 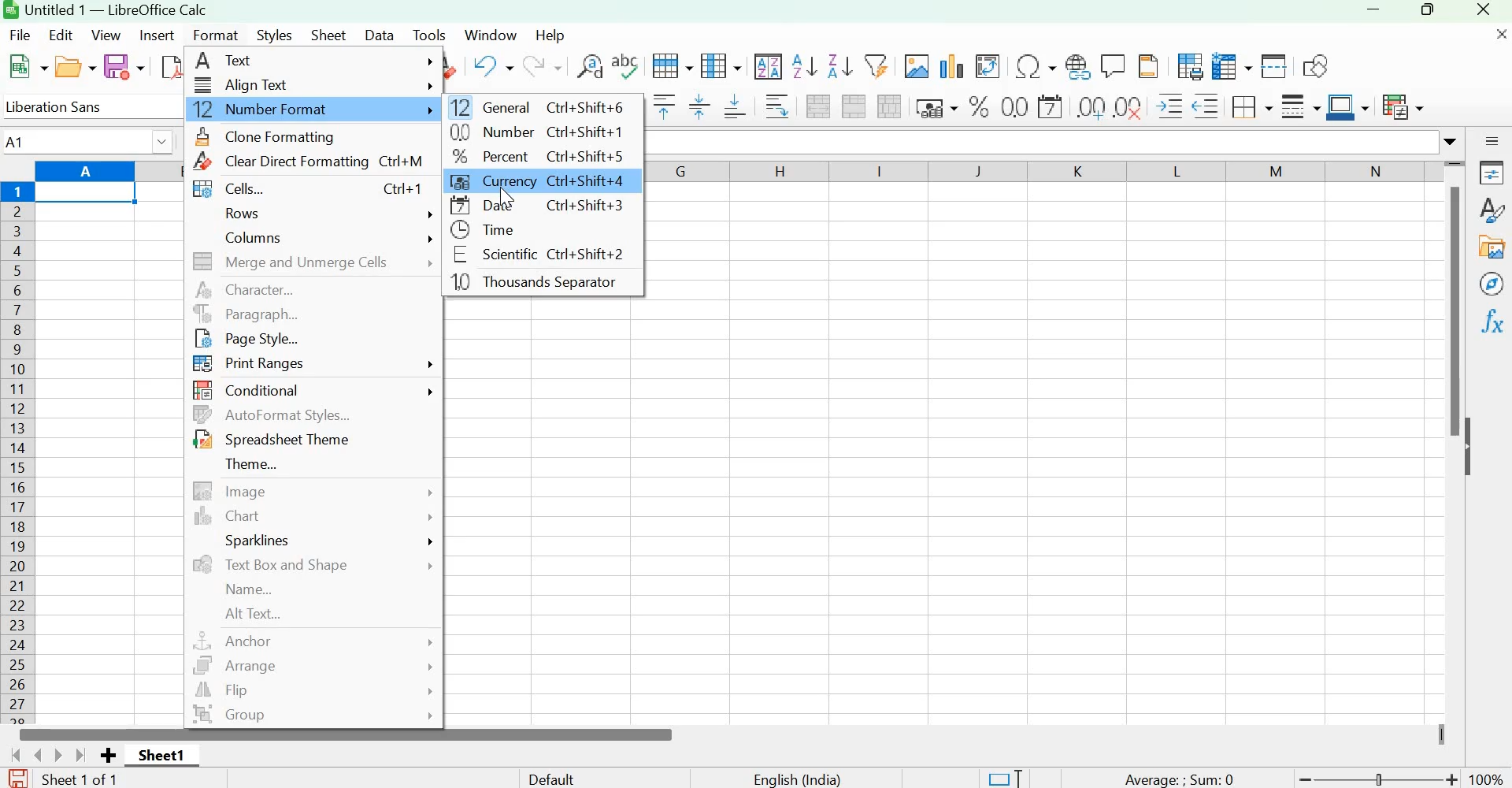 I want to click on 100%, so click(x=1489, y=779).